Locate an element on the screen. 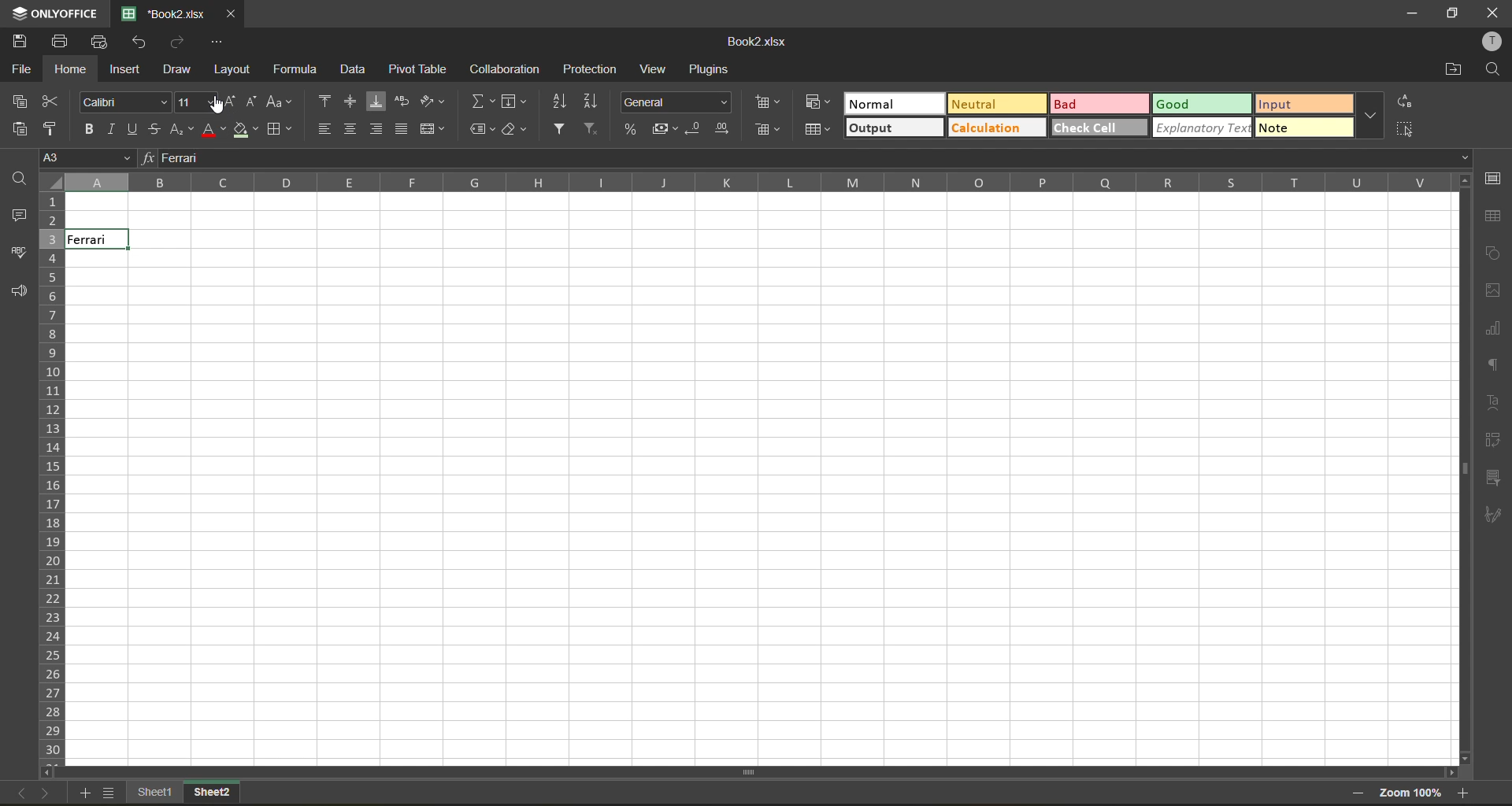  italic is located at coordinates (114, 129).